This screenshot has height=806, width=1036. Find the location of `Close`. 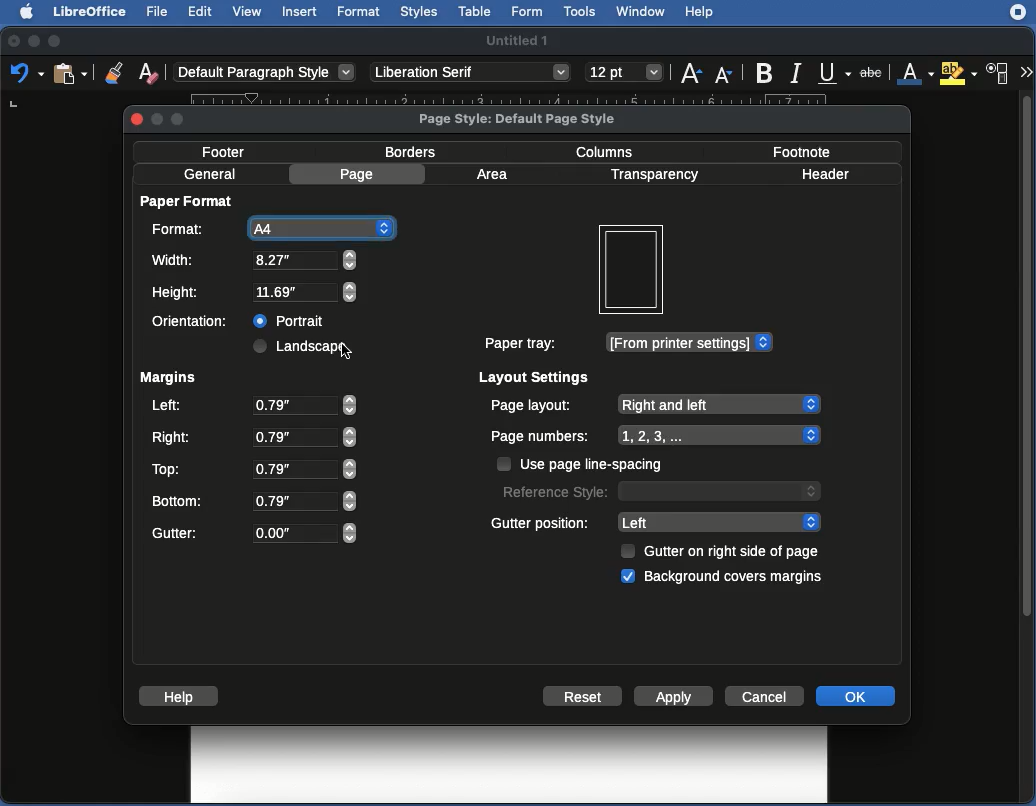

Close is located at coordinates (12, 39).